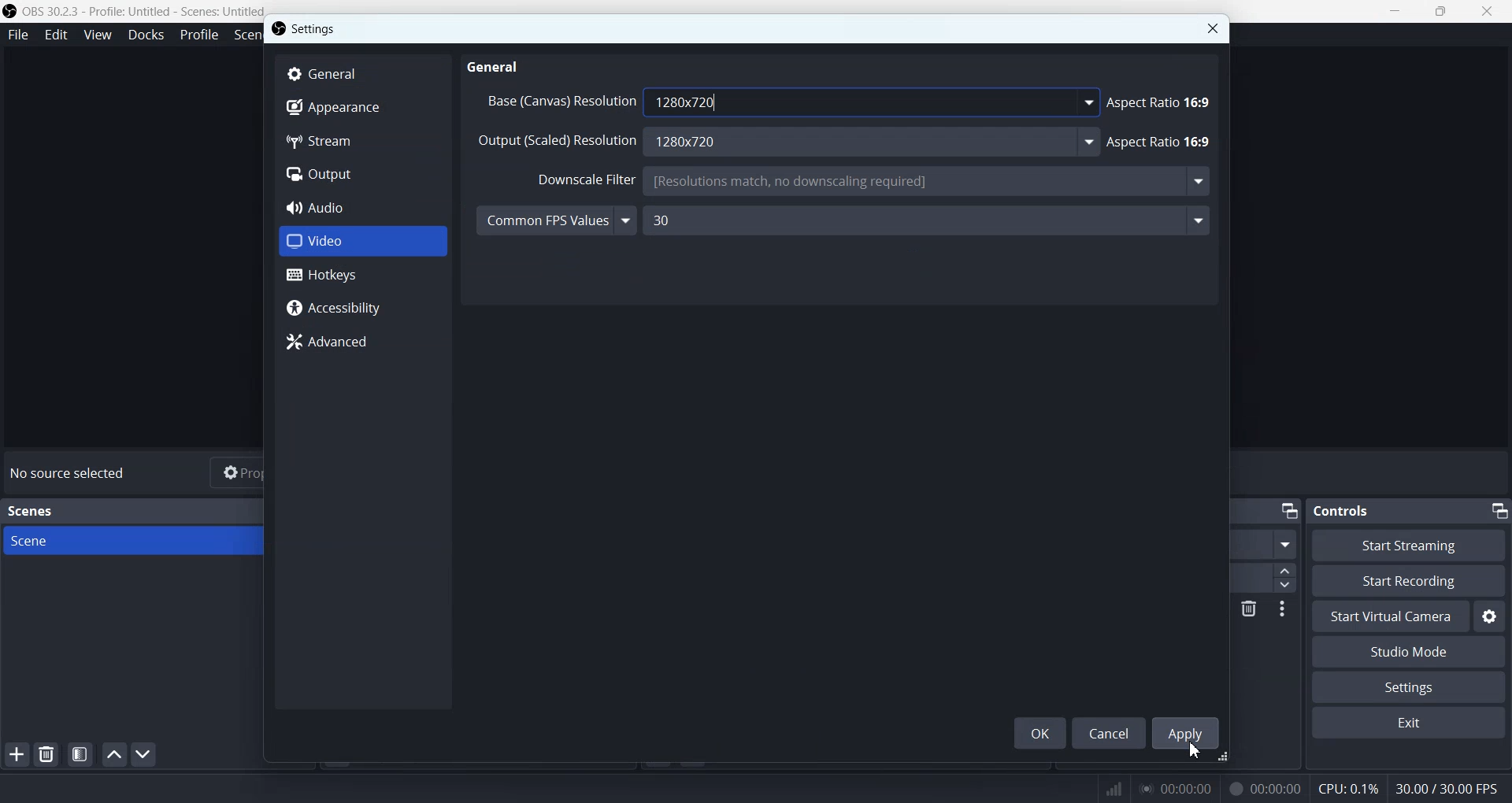 Image resolution: width=1512 pixels, height=803 pixels. What do you see at coordinates (1407, 652) in the screenshot?
I see `Studio Mode` at bounding box center [1407, 652].